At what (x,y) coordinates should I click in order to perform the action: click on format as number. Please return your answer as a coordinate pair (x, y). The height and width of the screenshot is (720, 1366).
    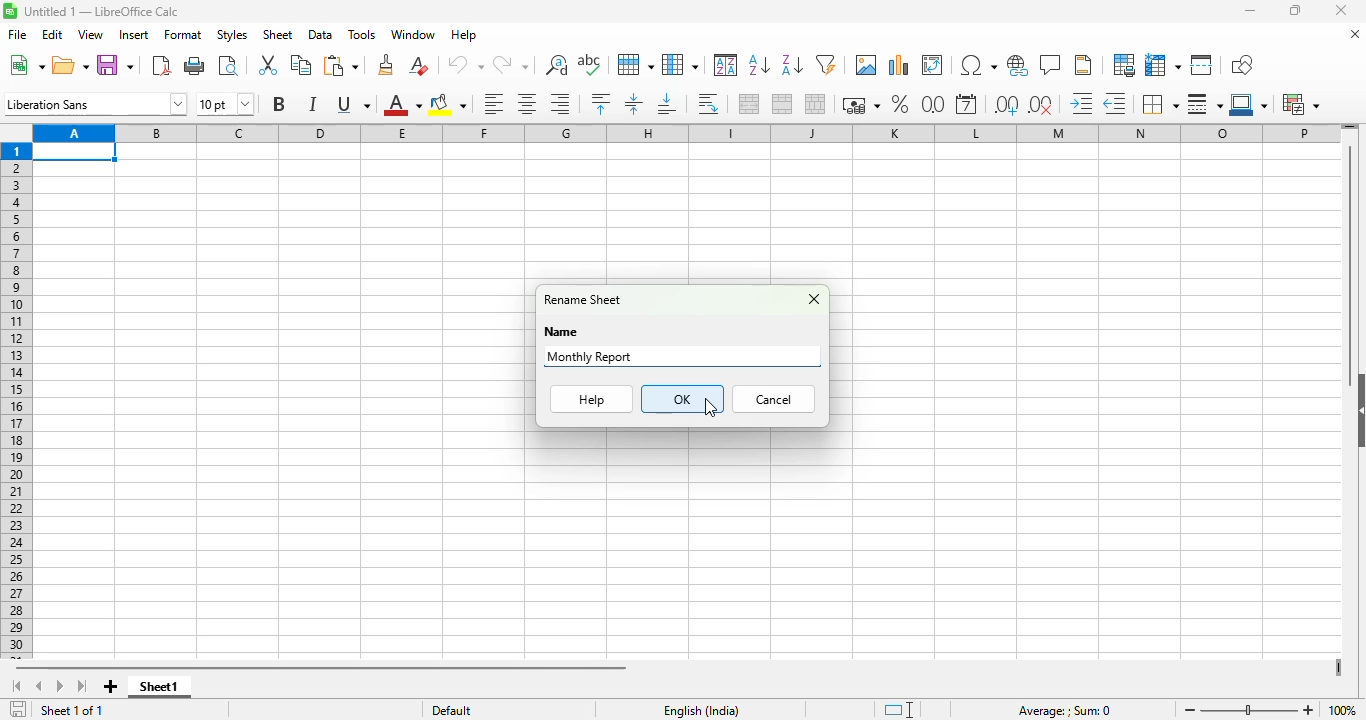
    Looking at the image, I should click on (933, 103).